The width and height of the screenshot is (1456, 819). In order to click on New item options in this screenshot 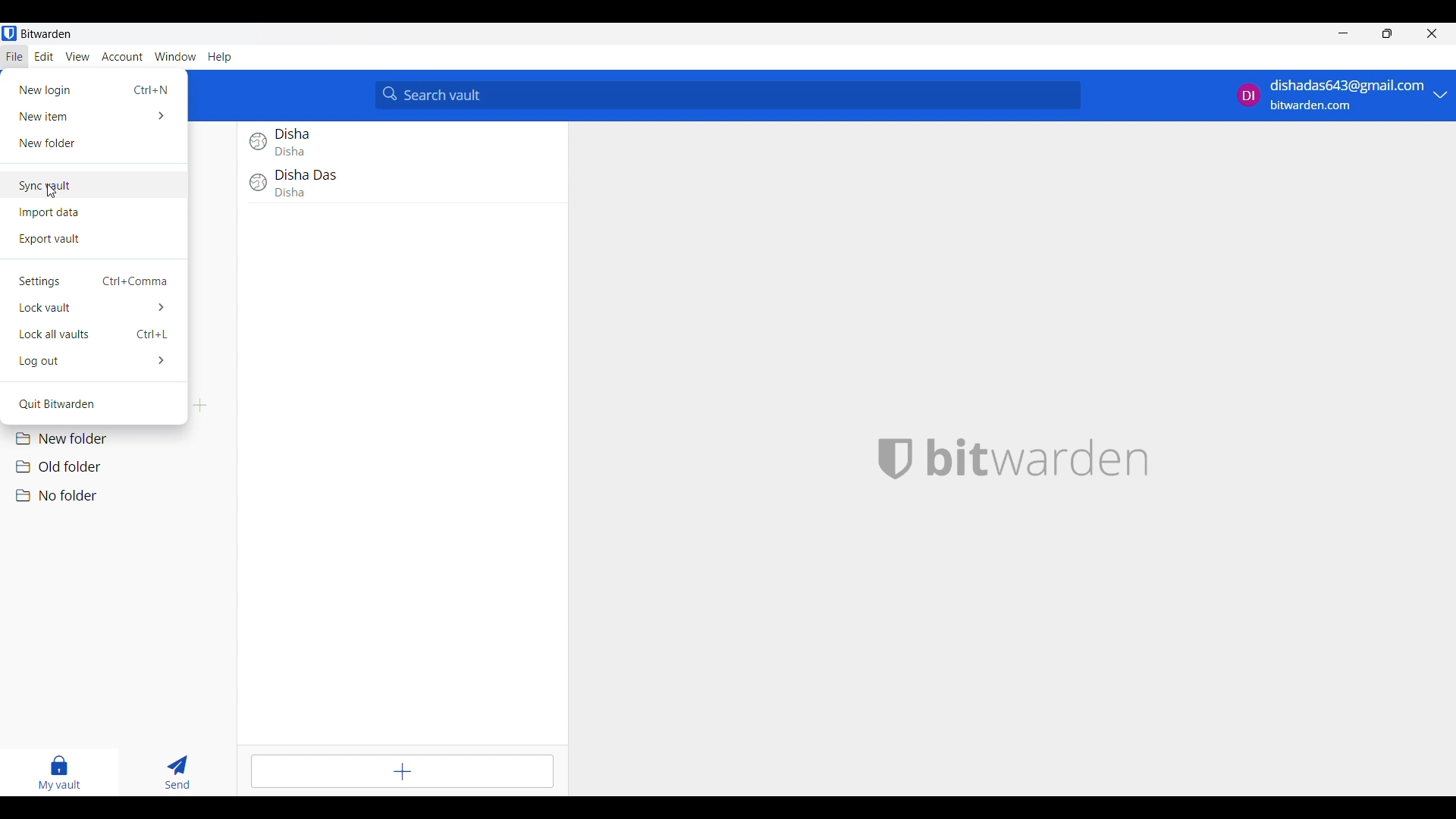, I will do `click(93, 116)`.